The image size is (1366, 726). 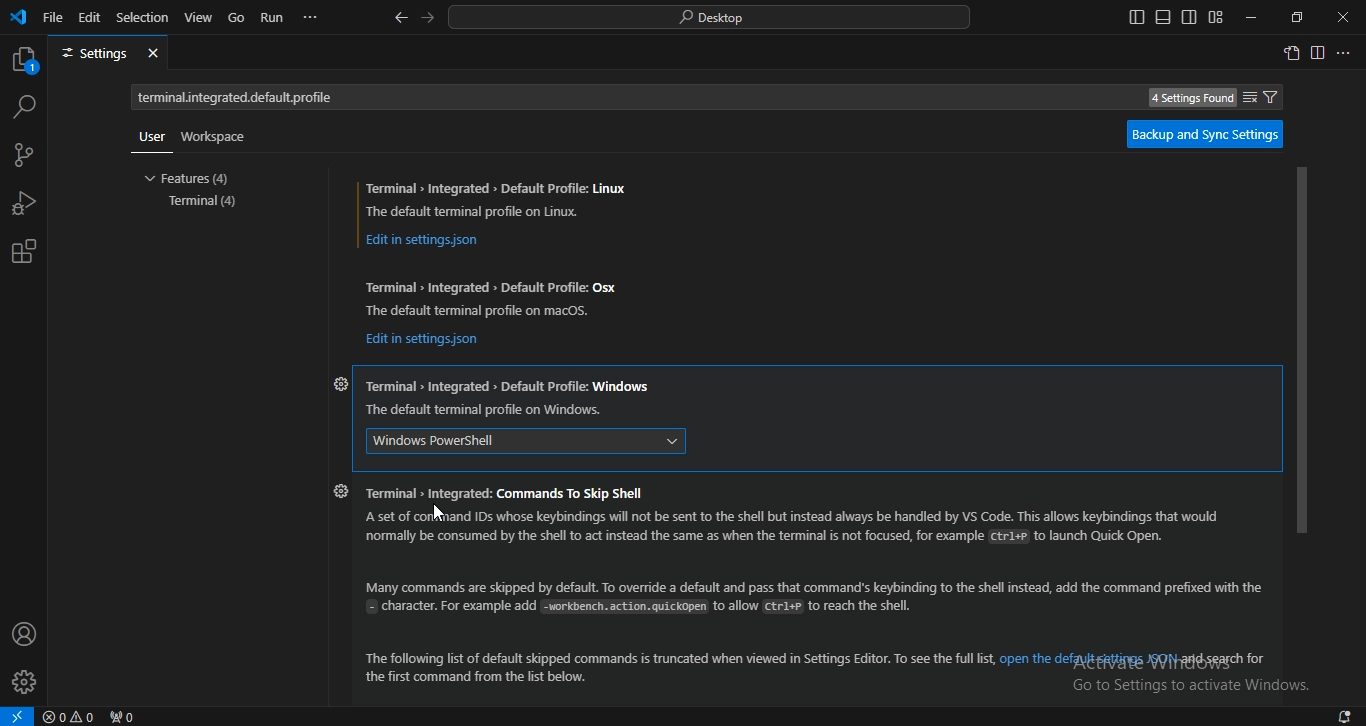 What do you see at coordinates (153, 138) in the screenshot?
I see `user` at bounding box center [153, 138].